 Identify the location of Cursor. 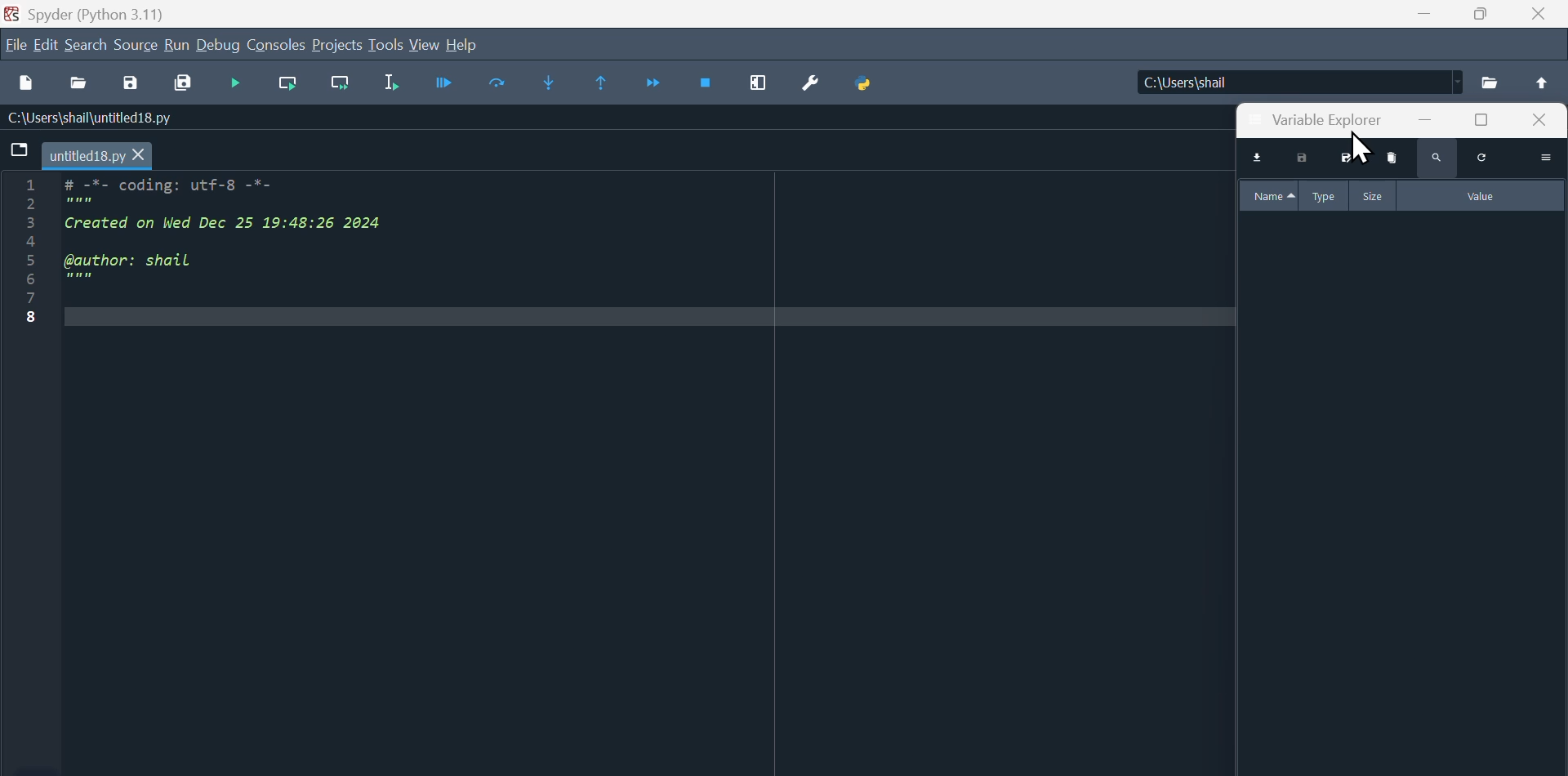
(1365, 148).